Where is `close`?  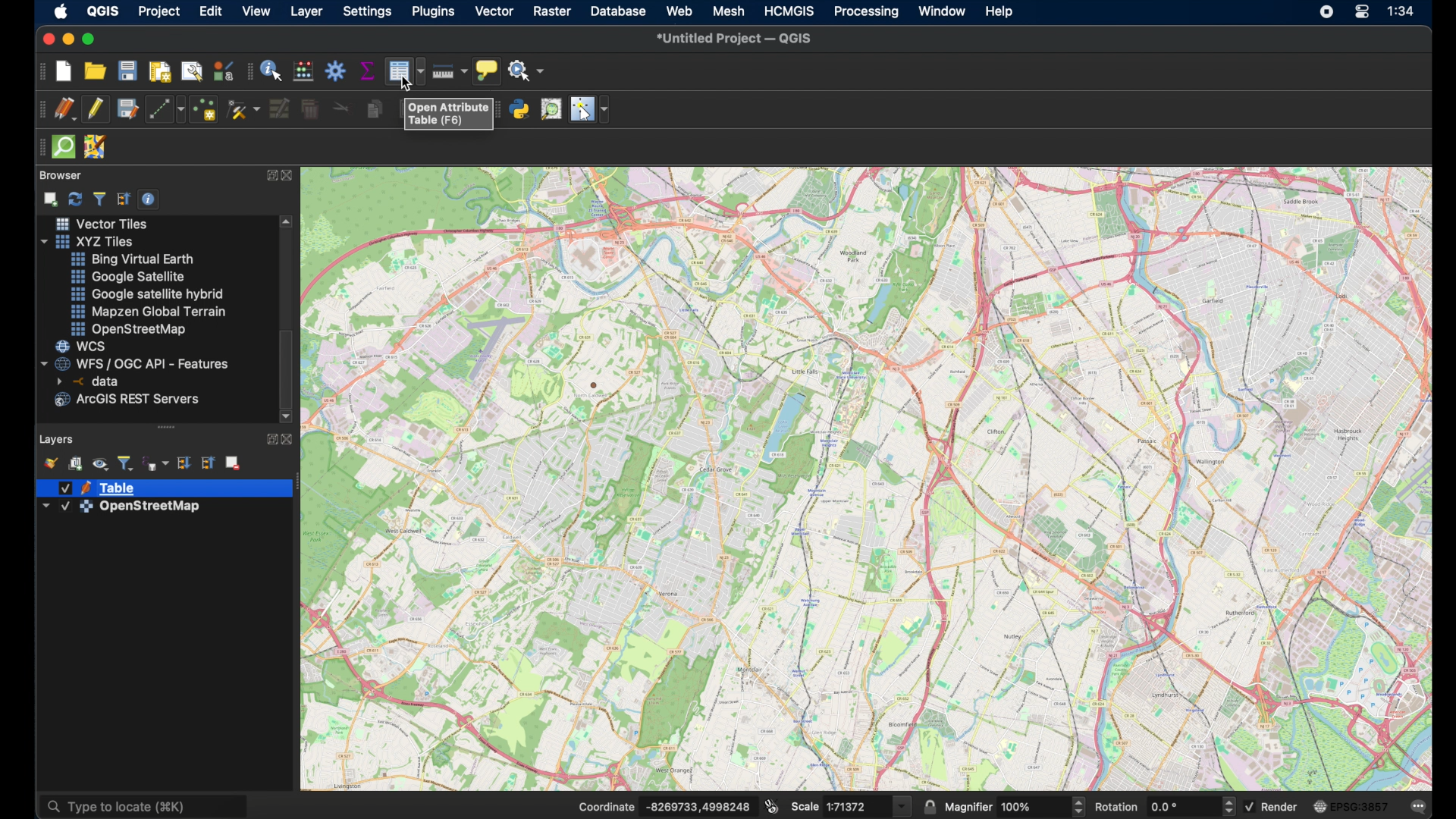
close is located at coordinates (290, 439).